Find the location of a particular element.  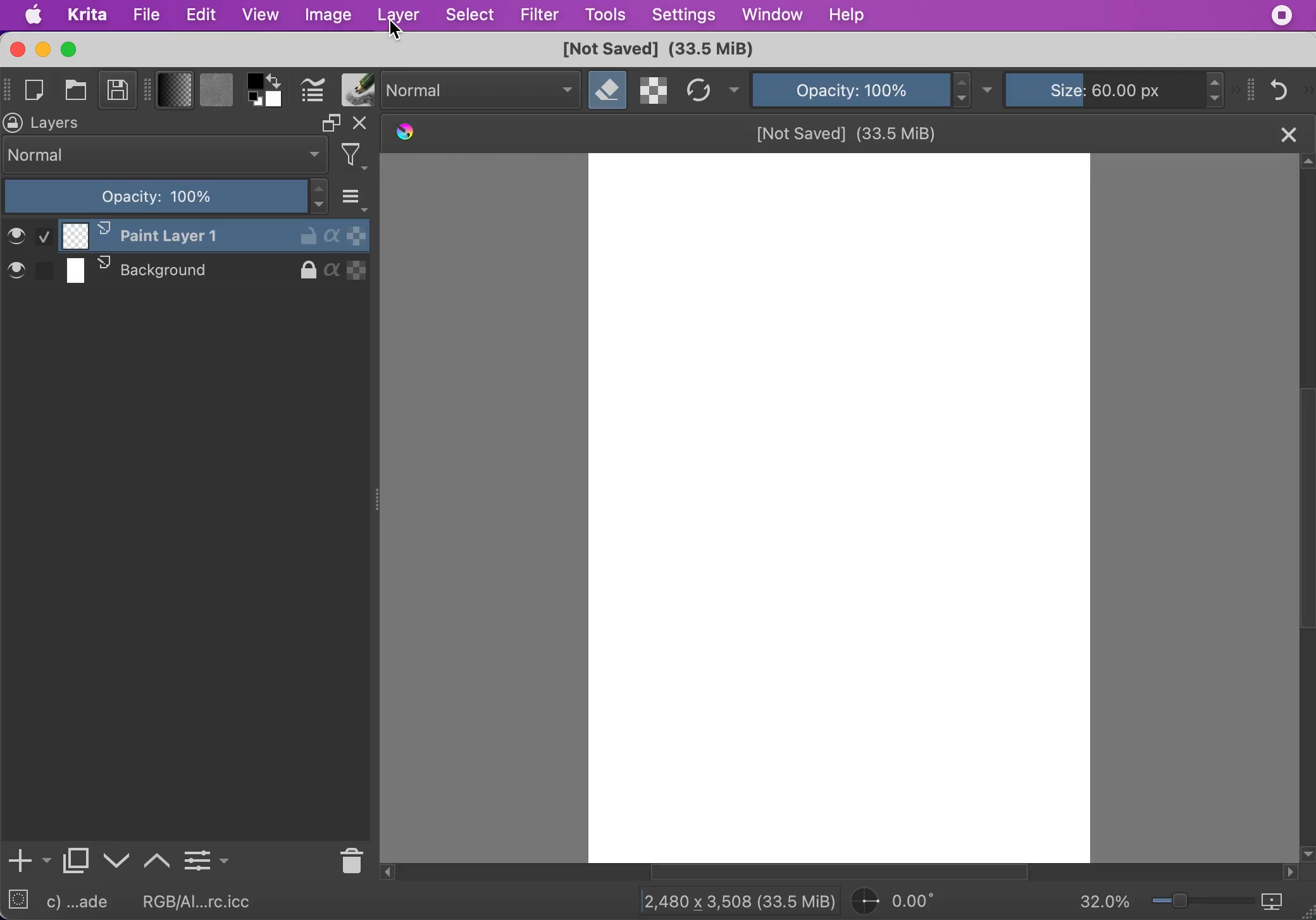

move layer or mask down is located at coordinates (117, 861).